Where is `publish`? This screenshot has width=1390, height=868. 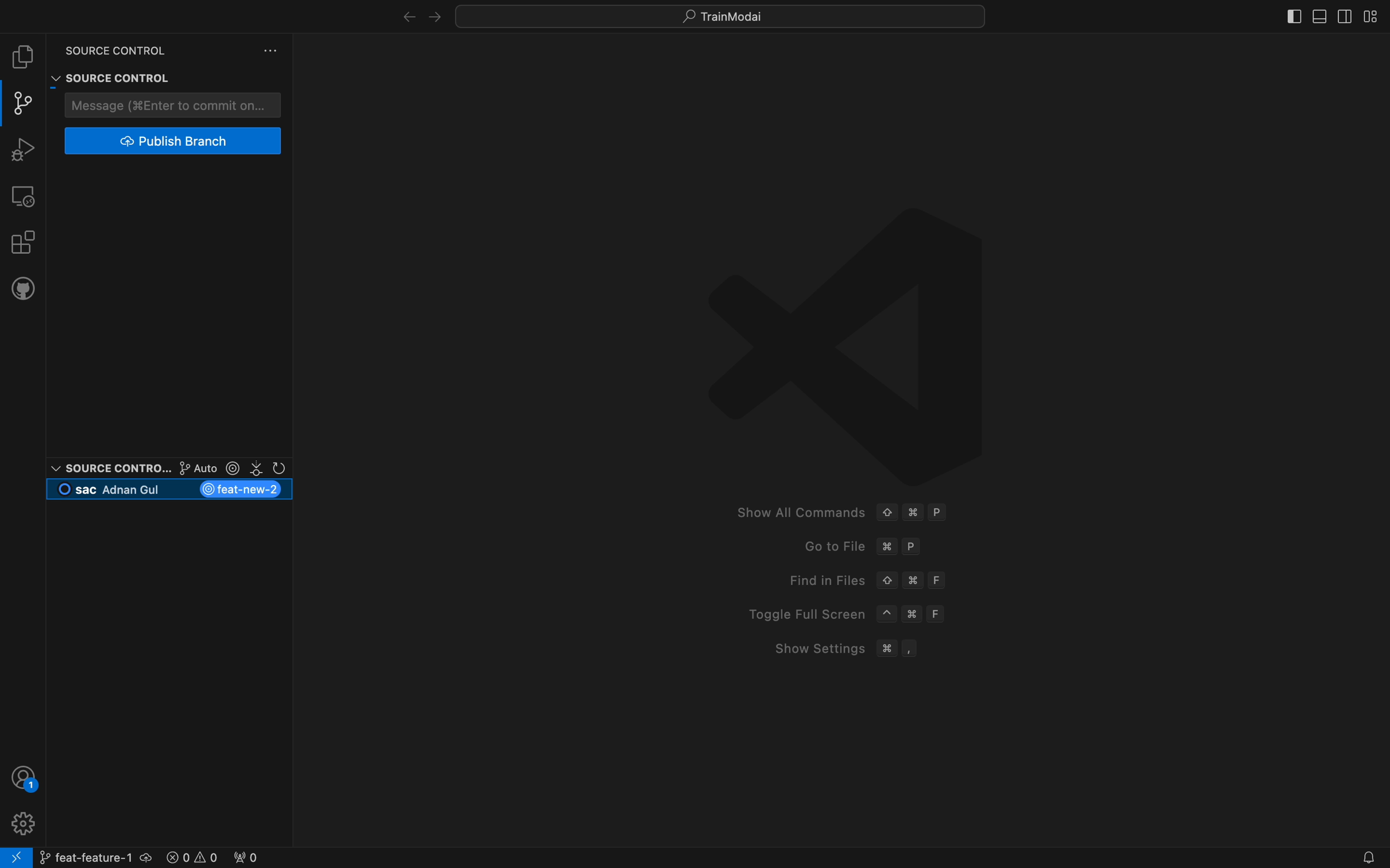
publish is located at coordinates (175, 141).